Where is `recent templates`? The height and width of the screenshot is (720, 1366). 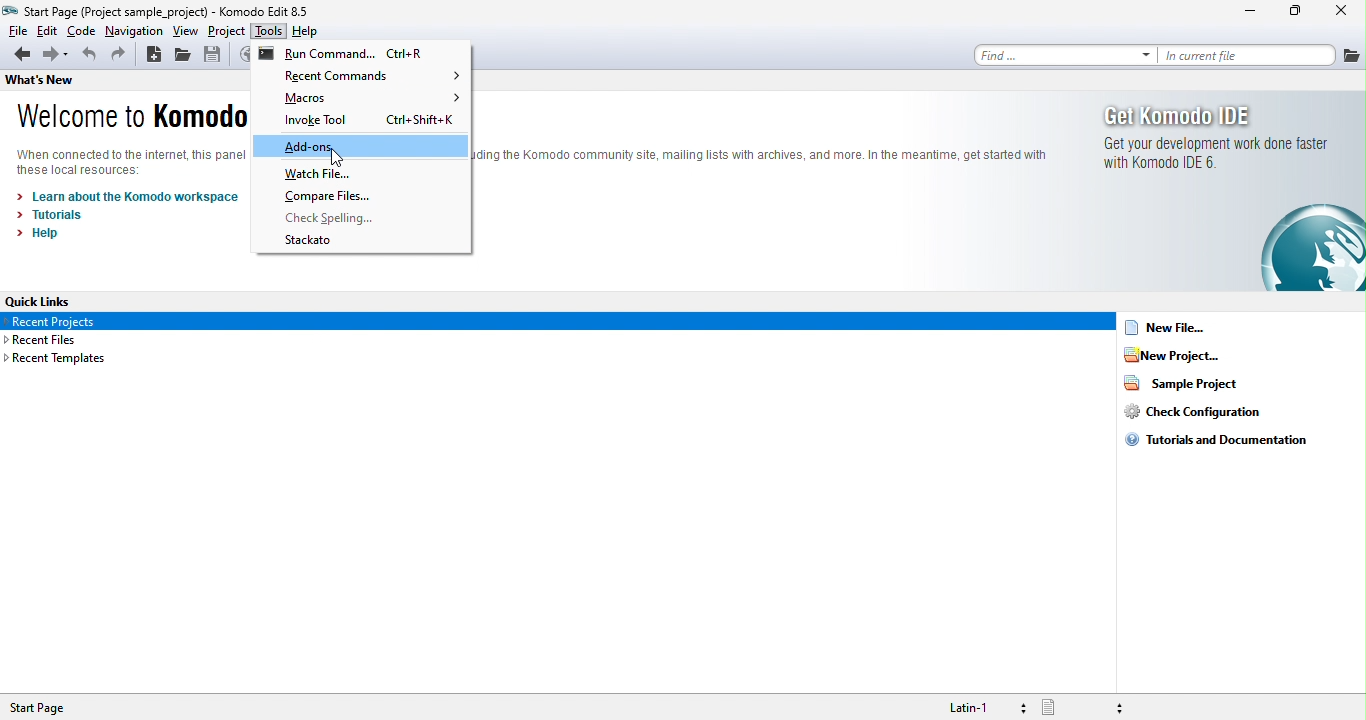
recent templates is located at coordinates (60, 363).